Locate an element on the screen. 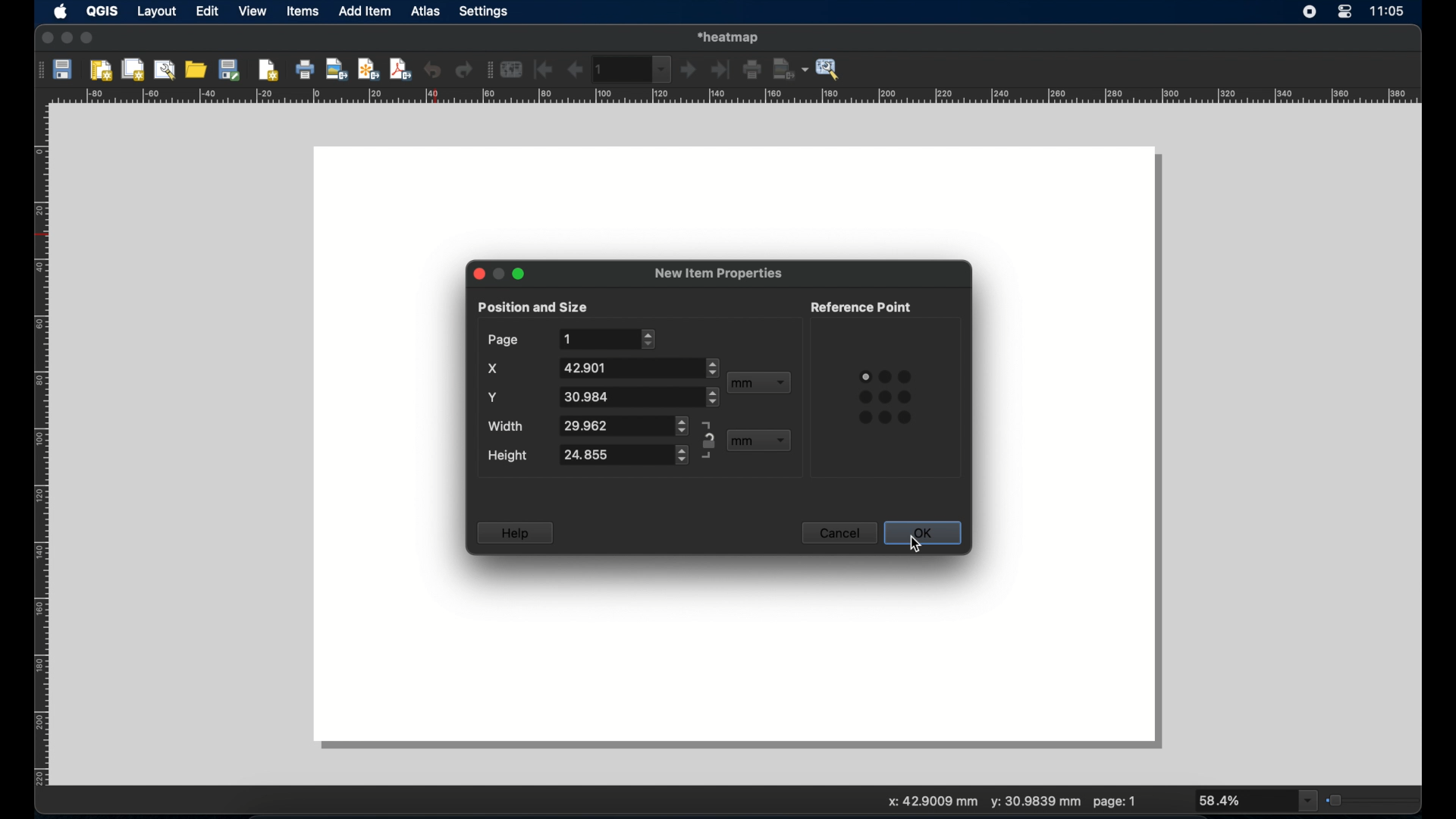 The width and height of the screenshot is (1456, 819). QGIS is located at coordinates (104, 11).